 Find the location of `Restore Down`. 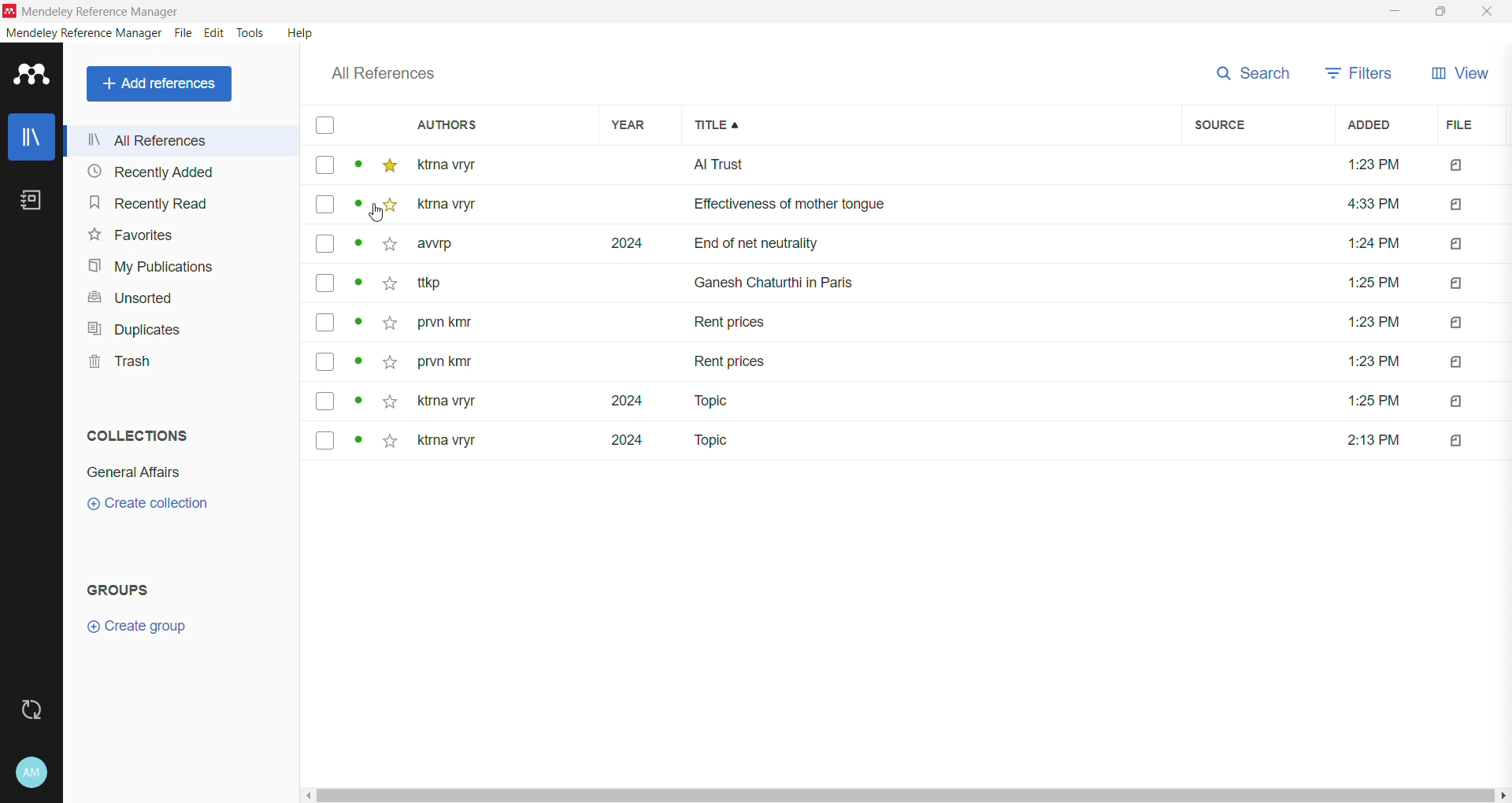

Restore Down is located at coordinates (1440, 10).